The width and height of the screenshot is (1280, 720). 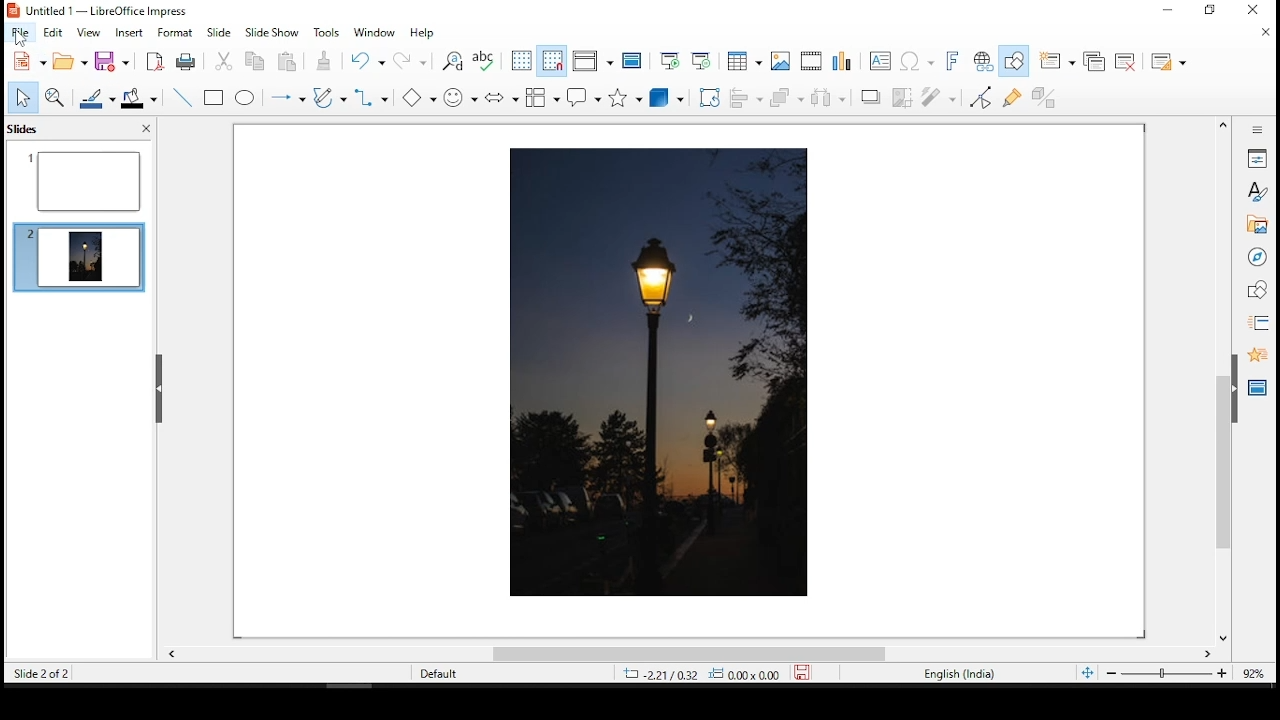 I want to click on sidebar settings, so click(x=1253, y=130).